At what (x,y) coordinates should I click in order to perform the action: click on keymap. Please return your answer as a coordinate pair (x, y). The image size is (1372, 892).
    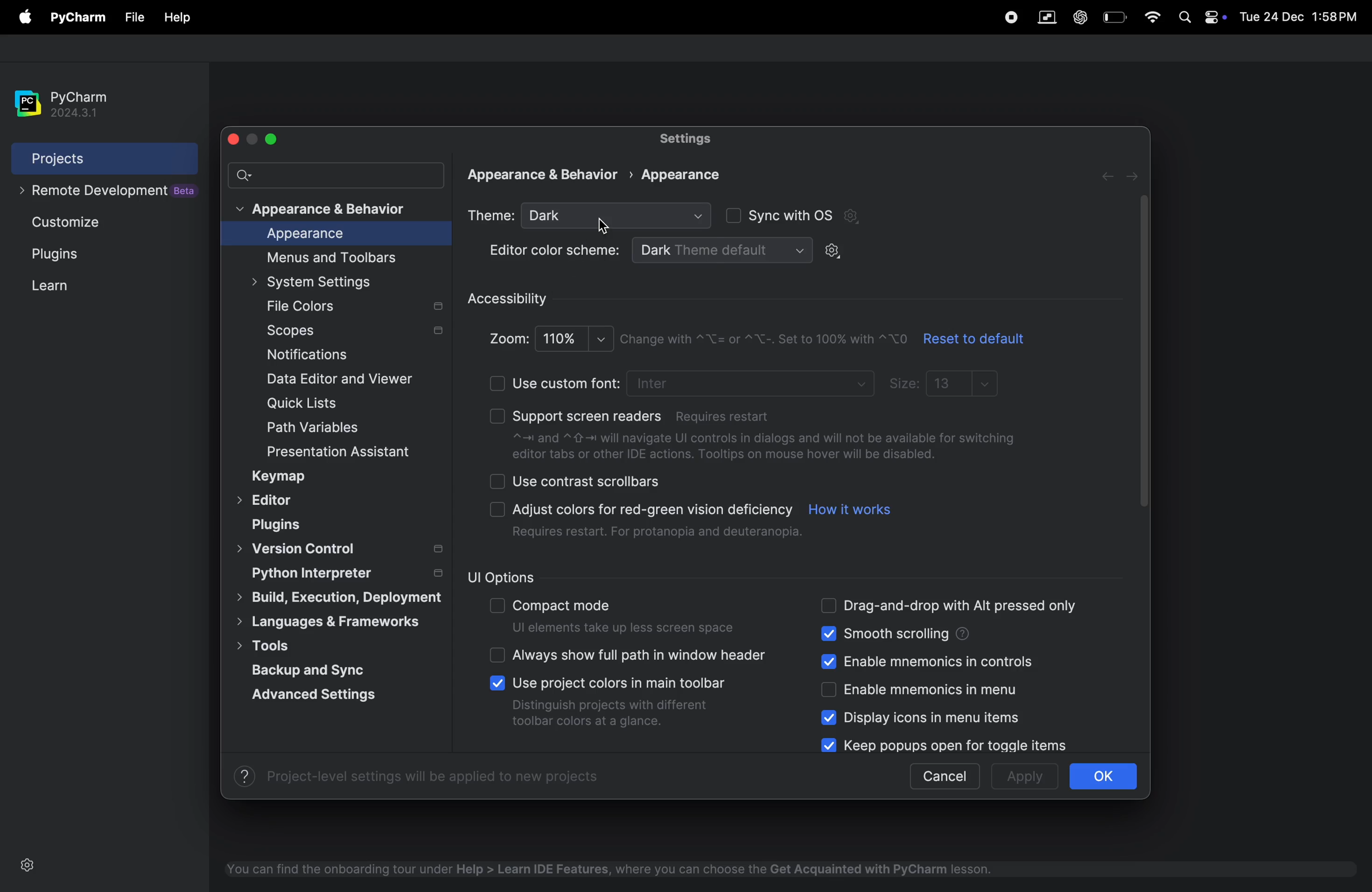
    Looking at the image, I should click on (295, 478).